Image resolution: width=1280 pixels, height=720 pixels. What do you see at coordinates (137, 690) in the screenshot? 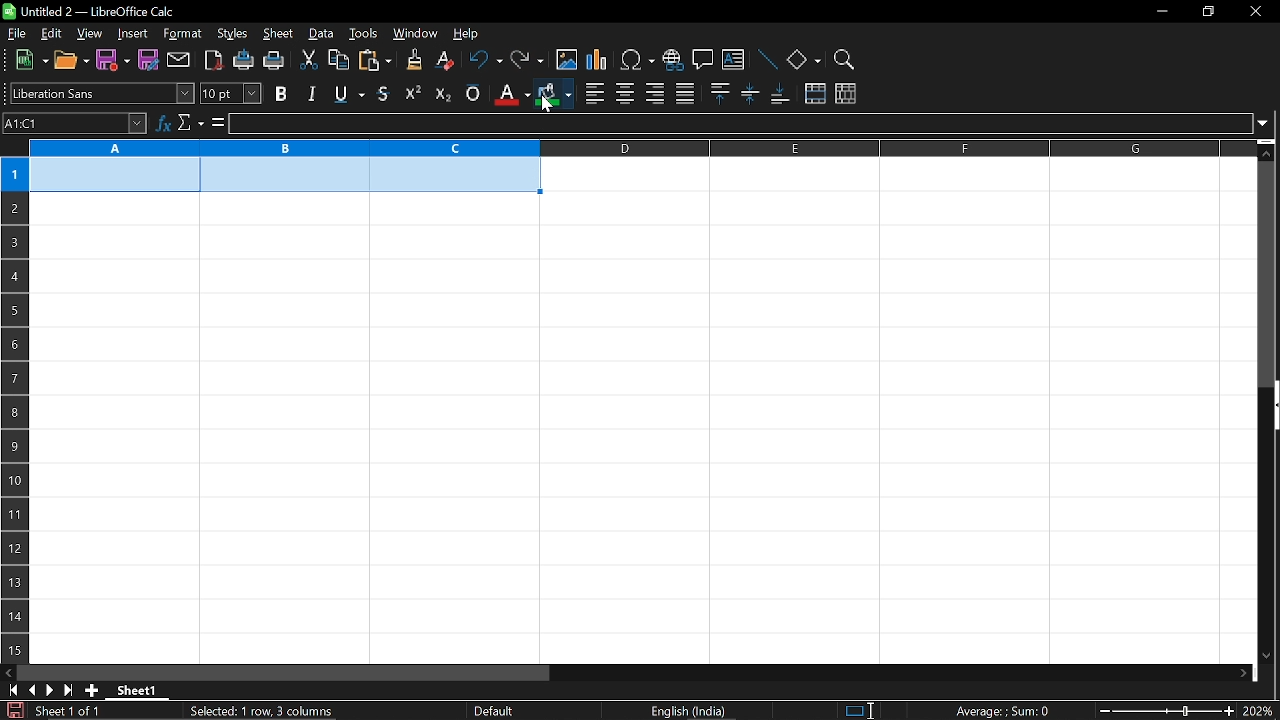
I see `Sheet 1` at bounding box center [137, 690].